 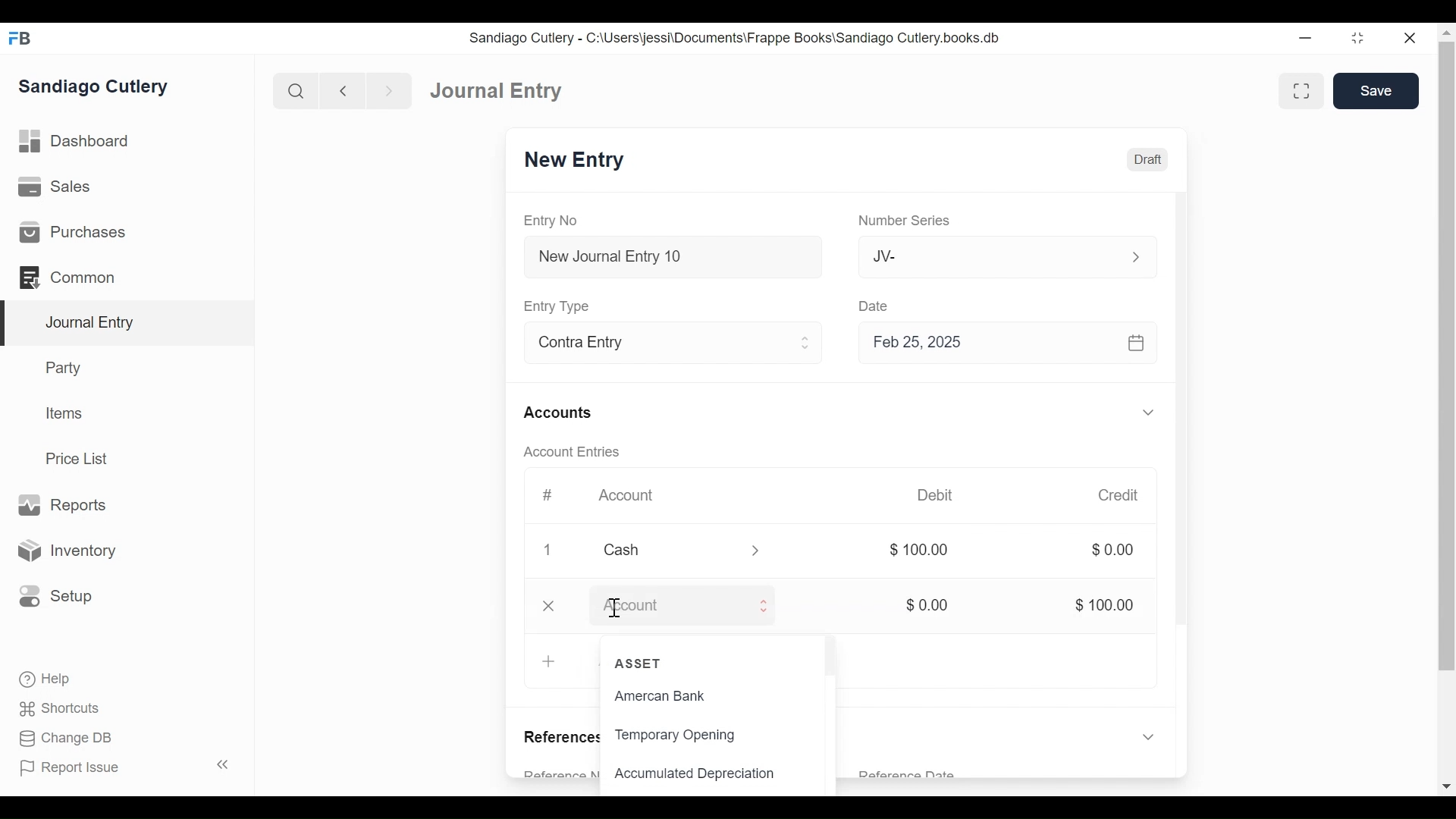 I want to click on Report Issue, so click(x=124, y=767).